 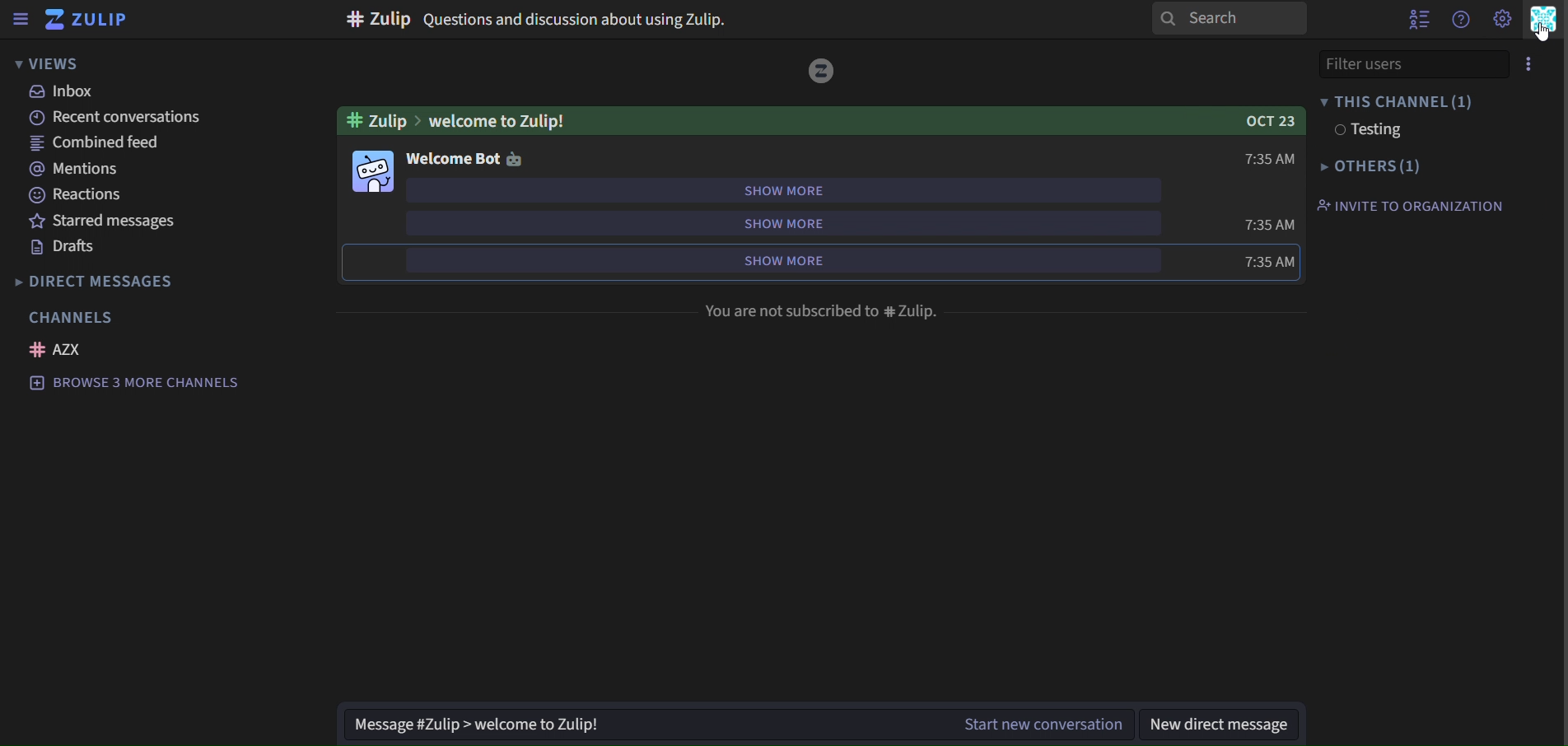 I want to click on main menu, so click(x=1501, y=19).